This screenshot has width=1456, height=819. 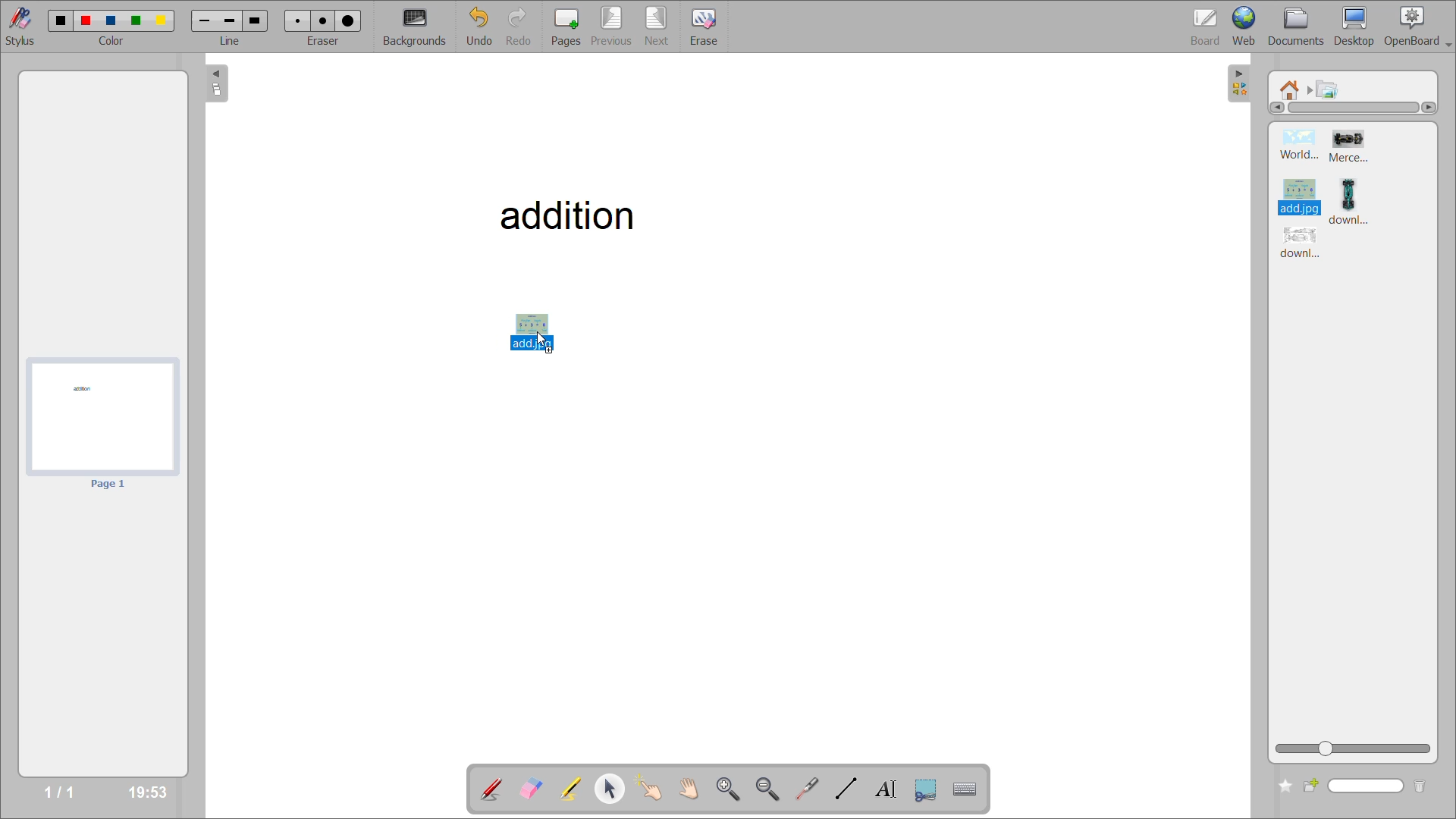 What do you see at coordinates (694, 787) in the screenshot?
I see `scroll page` at bounding box center [694, 787].